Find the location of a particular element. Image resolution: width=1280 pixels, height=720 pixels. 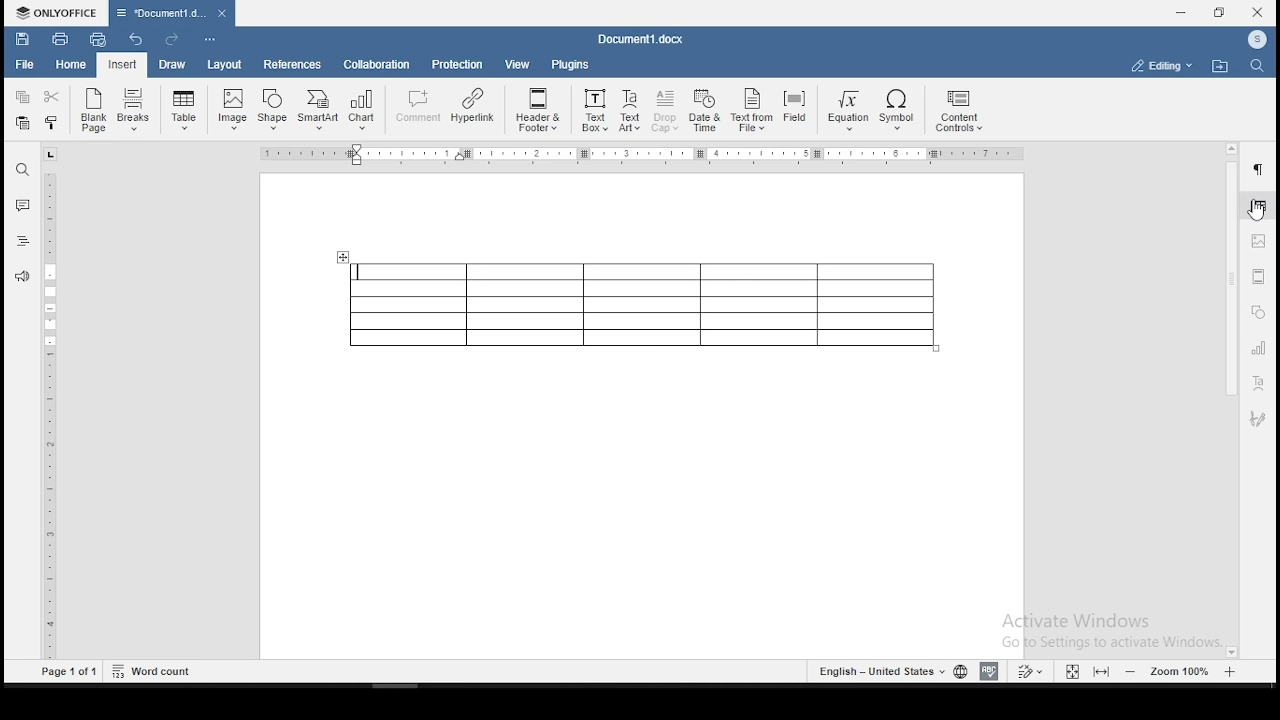

Drop Cap is located at coordinates (666, 112).